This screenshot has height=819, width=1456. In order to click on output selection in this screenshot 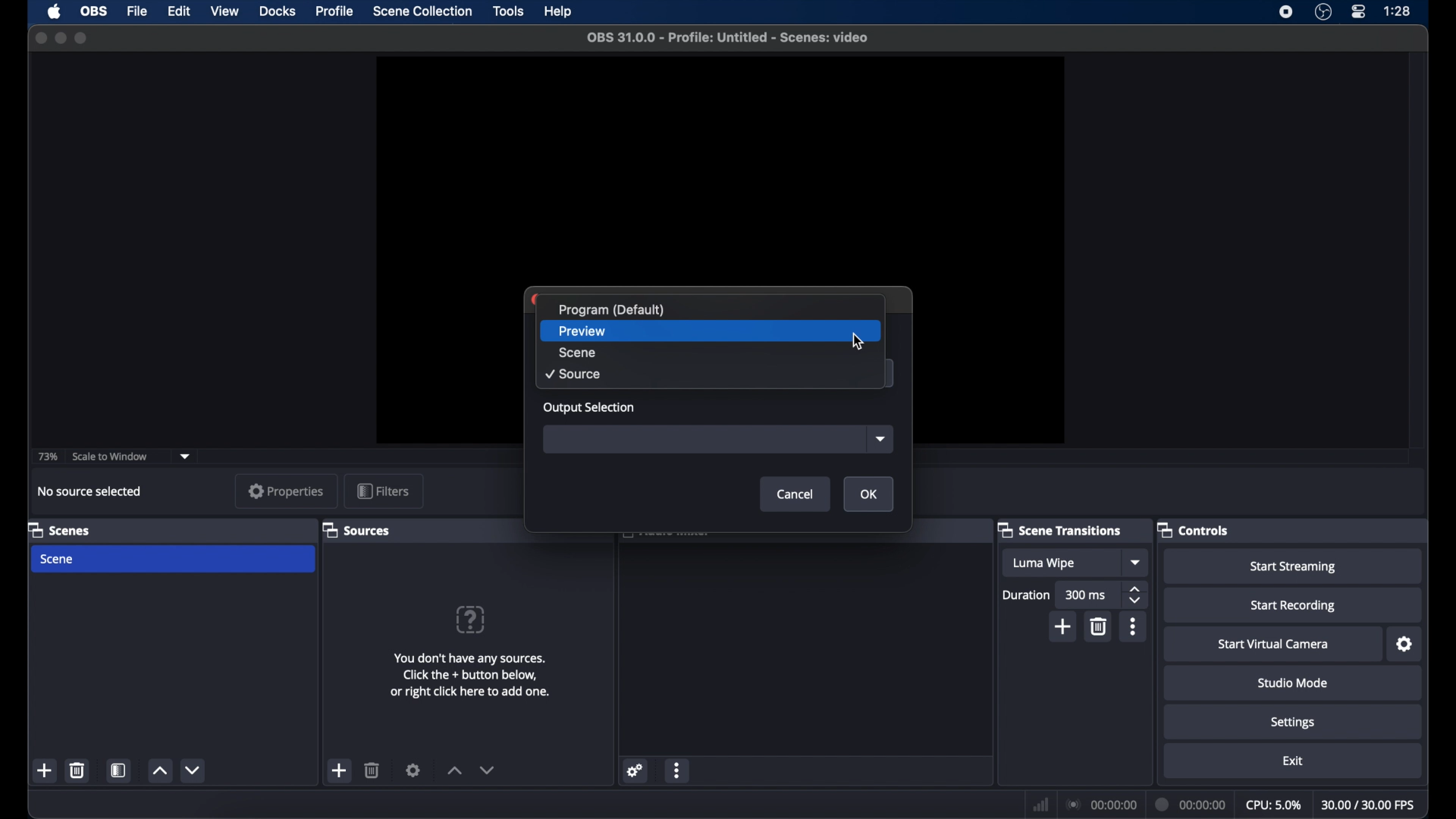, I will do `click(591, 409)`.